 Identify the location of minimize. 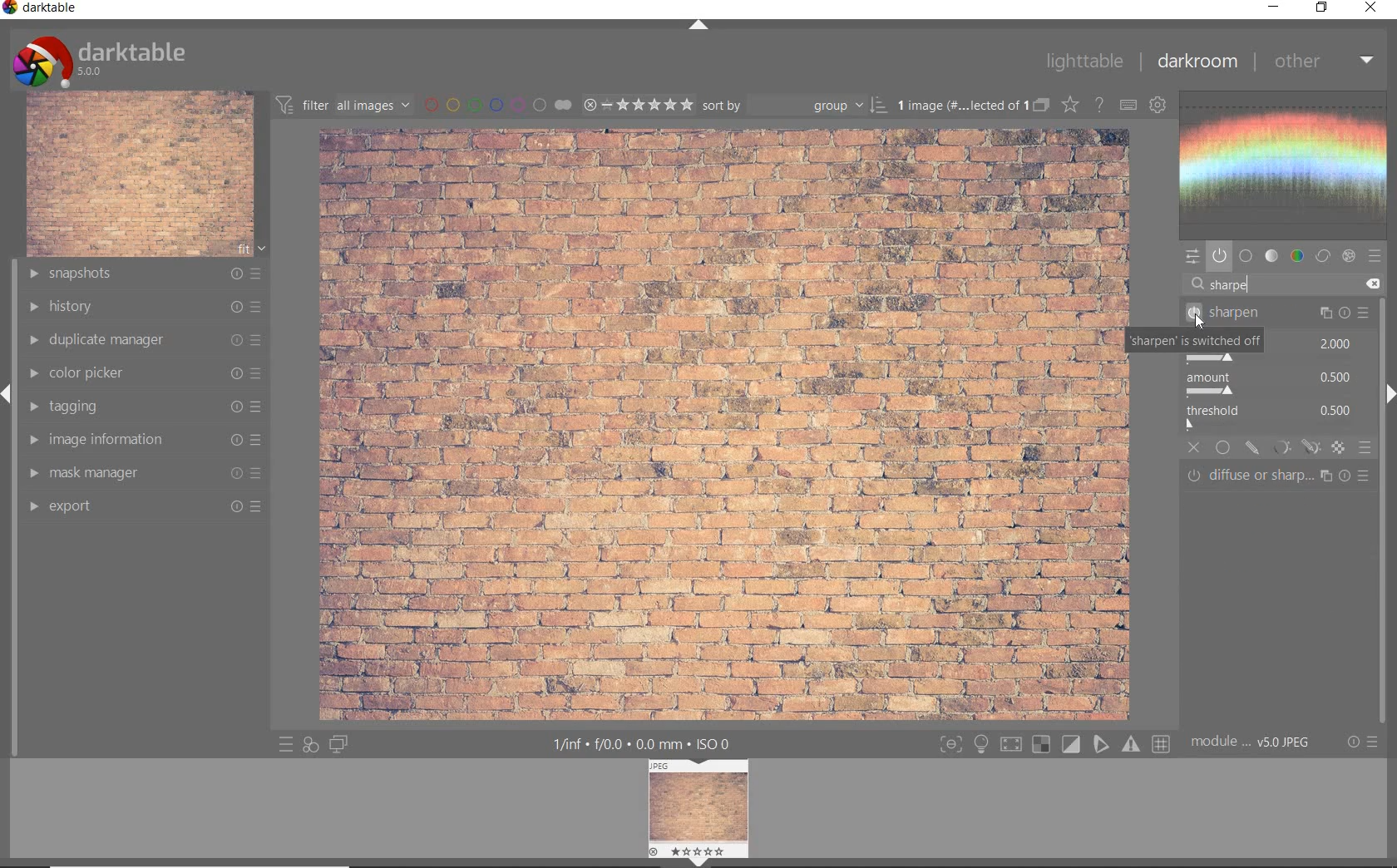
(1271, 6).